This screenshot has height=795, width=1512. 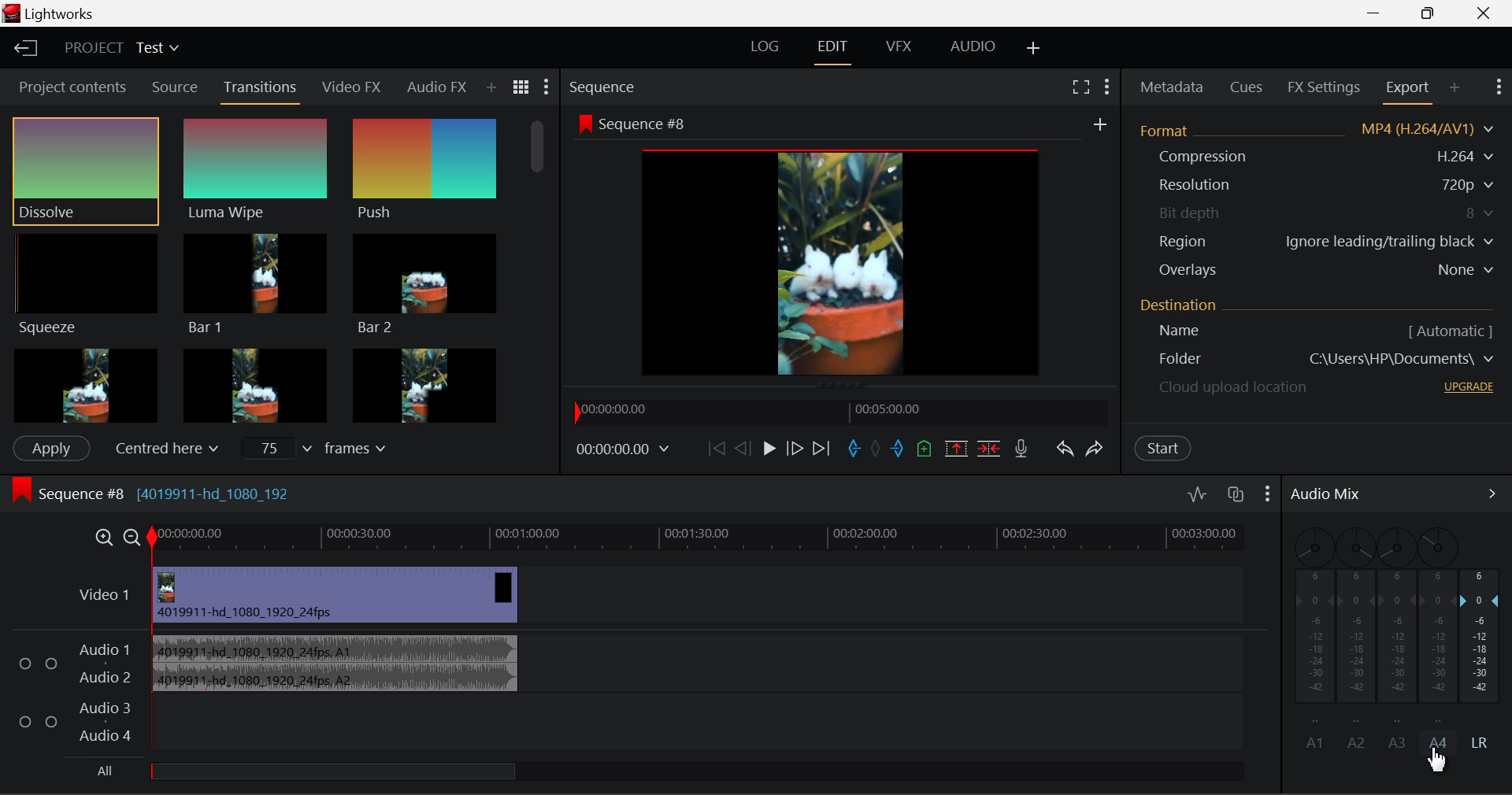 What do you see at coordinates (51, 449) in the screenshot?
I see `Apply` at bounding box center [51, 449].